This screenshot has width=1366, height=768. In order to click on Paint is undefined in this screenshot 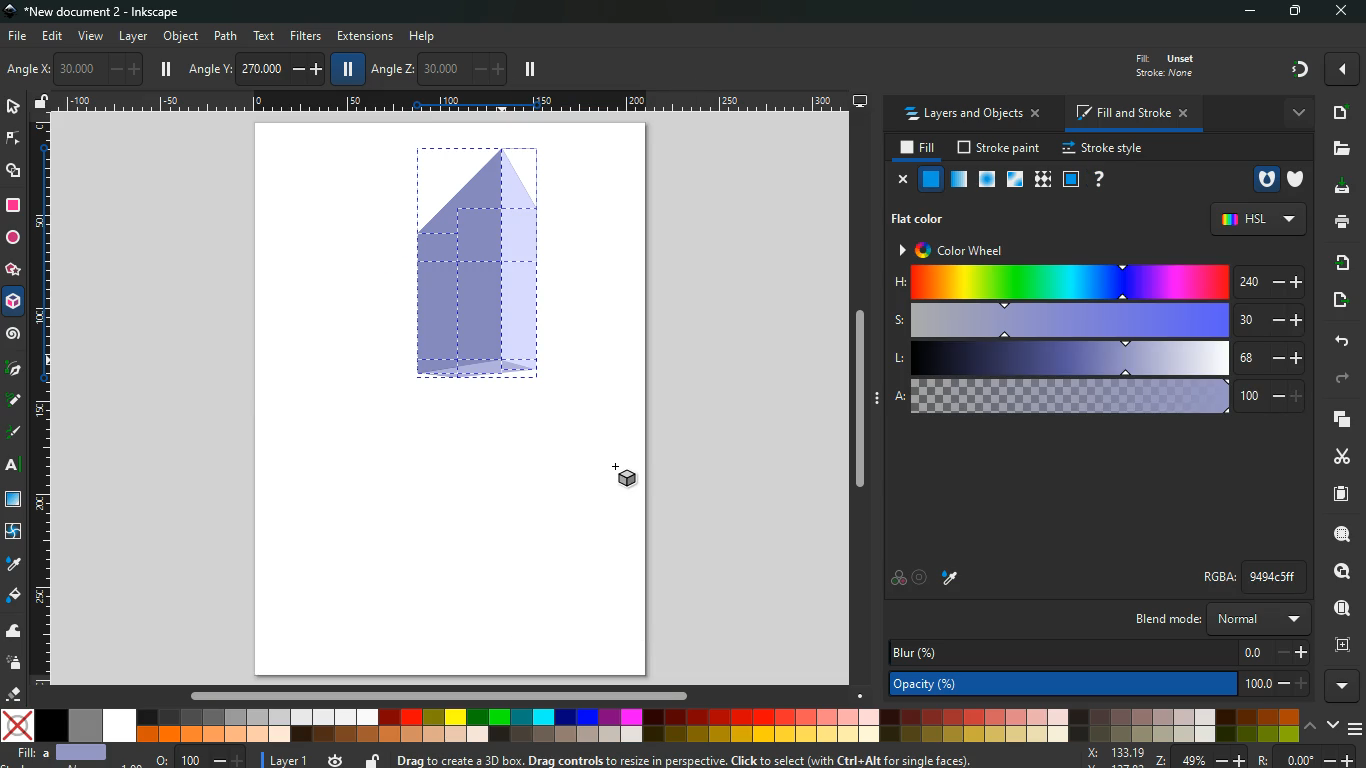, I will do `click(948, 205)`.